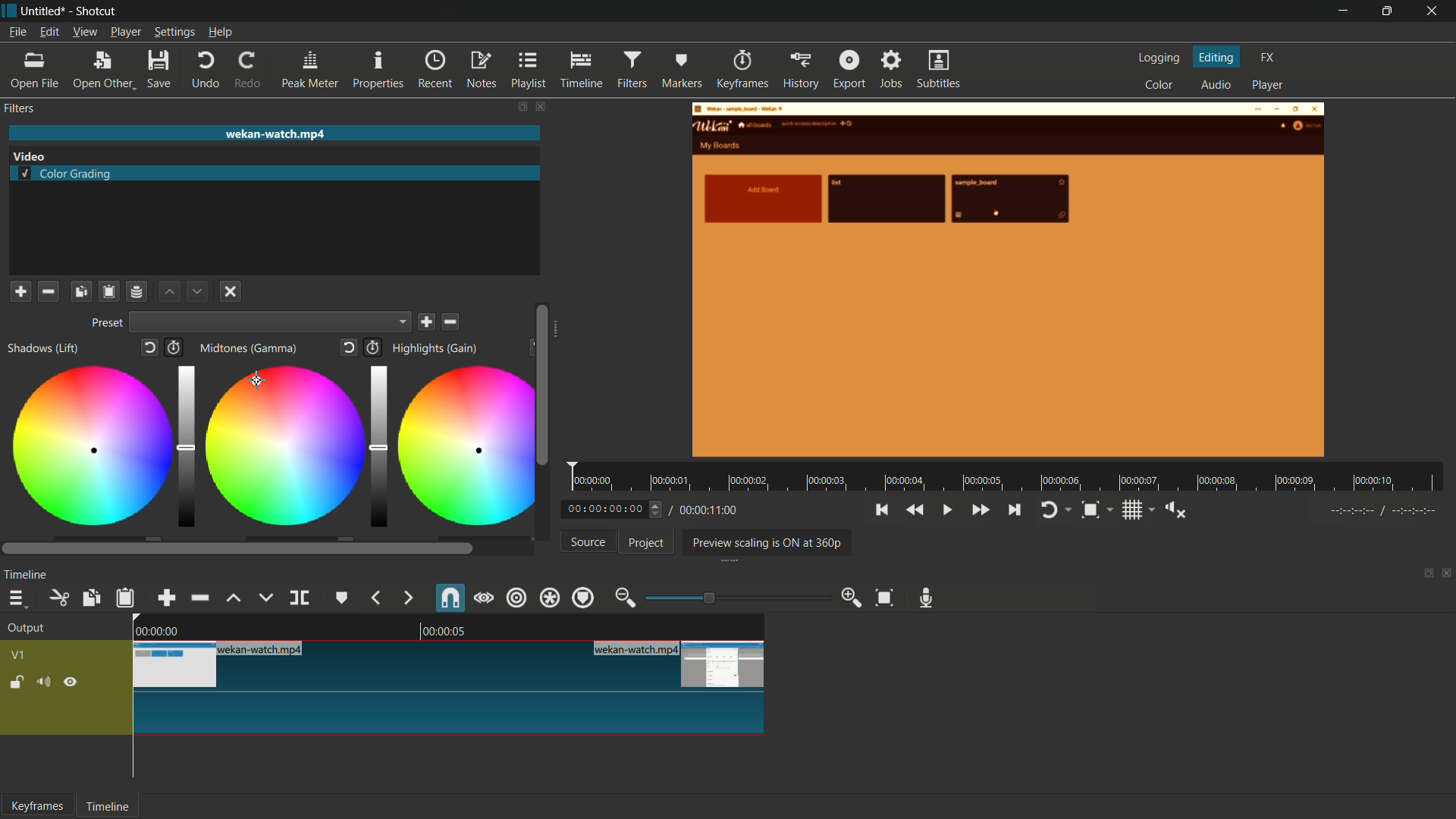  I want to click on move filter down, so click(198, 290).